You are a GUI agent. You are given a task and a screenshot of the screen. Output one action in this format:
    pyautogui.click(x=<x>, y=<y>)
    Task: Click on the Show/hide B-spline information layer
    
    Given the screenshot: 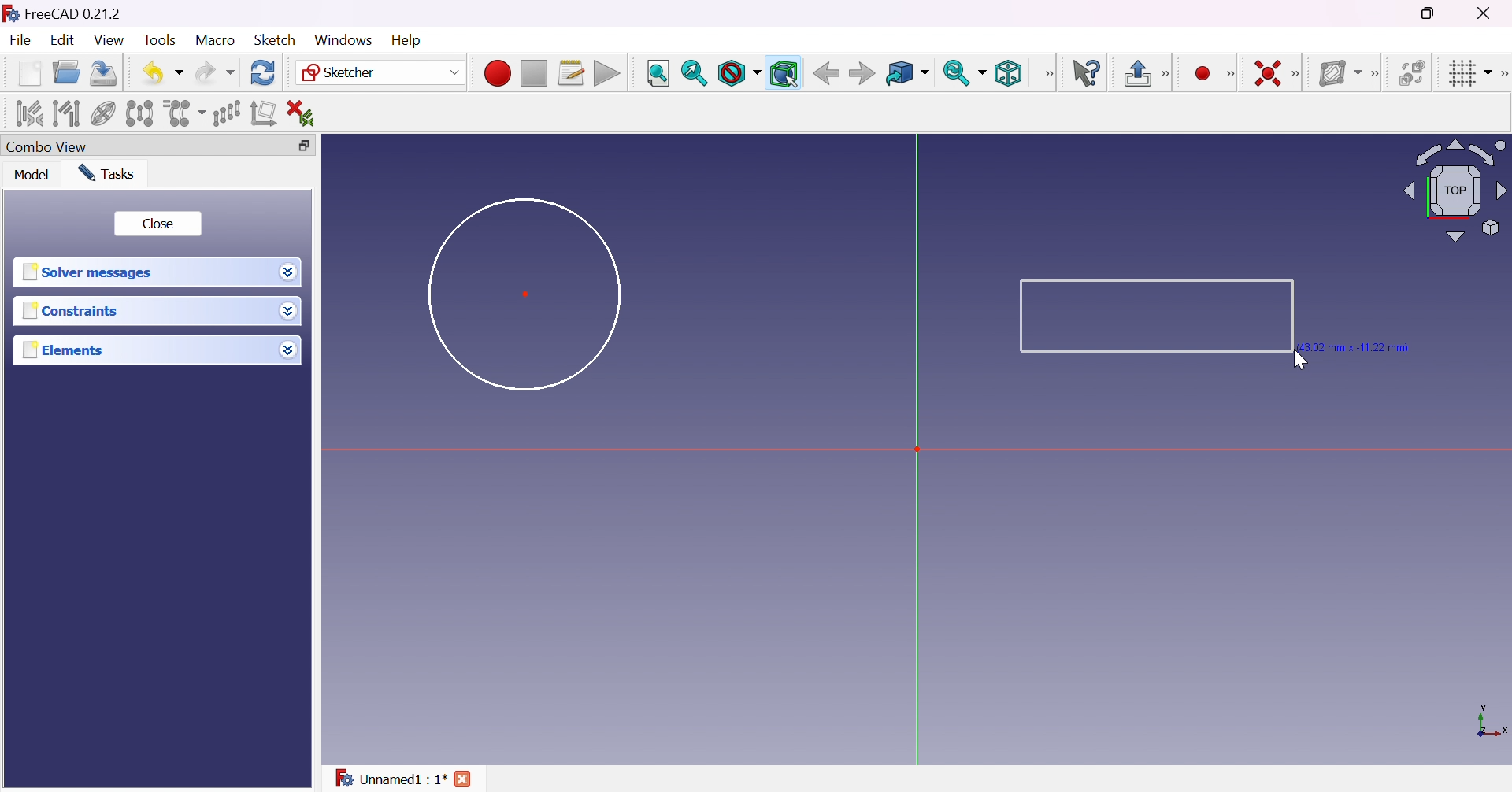 What is the action you would take?
    pyautogui.click(x=1340, y=72)
    